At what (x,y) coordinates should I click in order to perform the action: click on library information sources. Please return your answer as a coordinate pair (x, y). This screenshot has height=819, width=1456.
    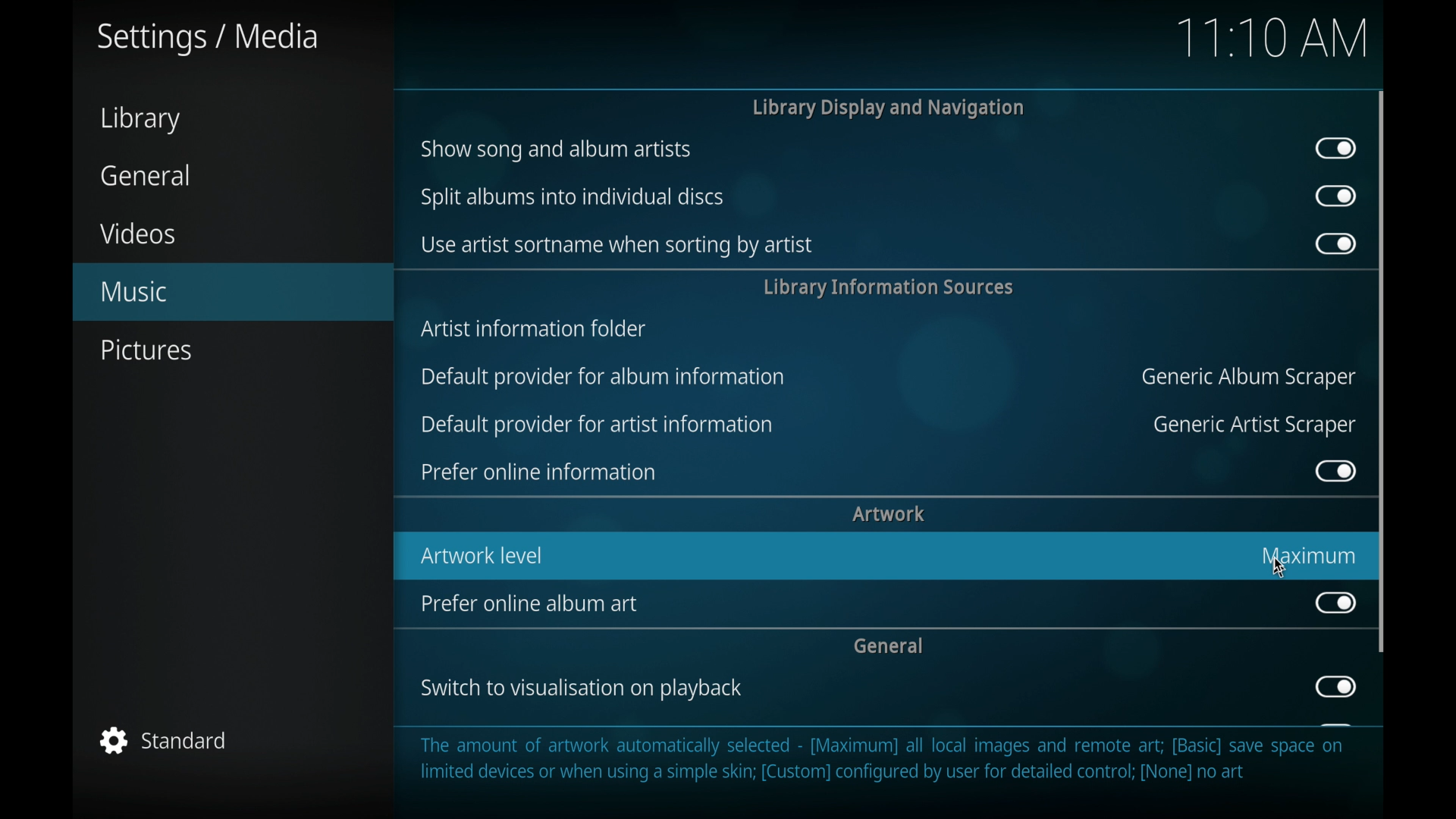
    Looking at the image, I should click on (890, 287).